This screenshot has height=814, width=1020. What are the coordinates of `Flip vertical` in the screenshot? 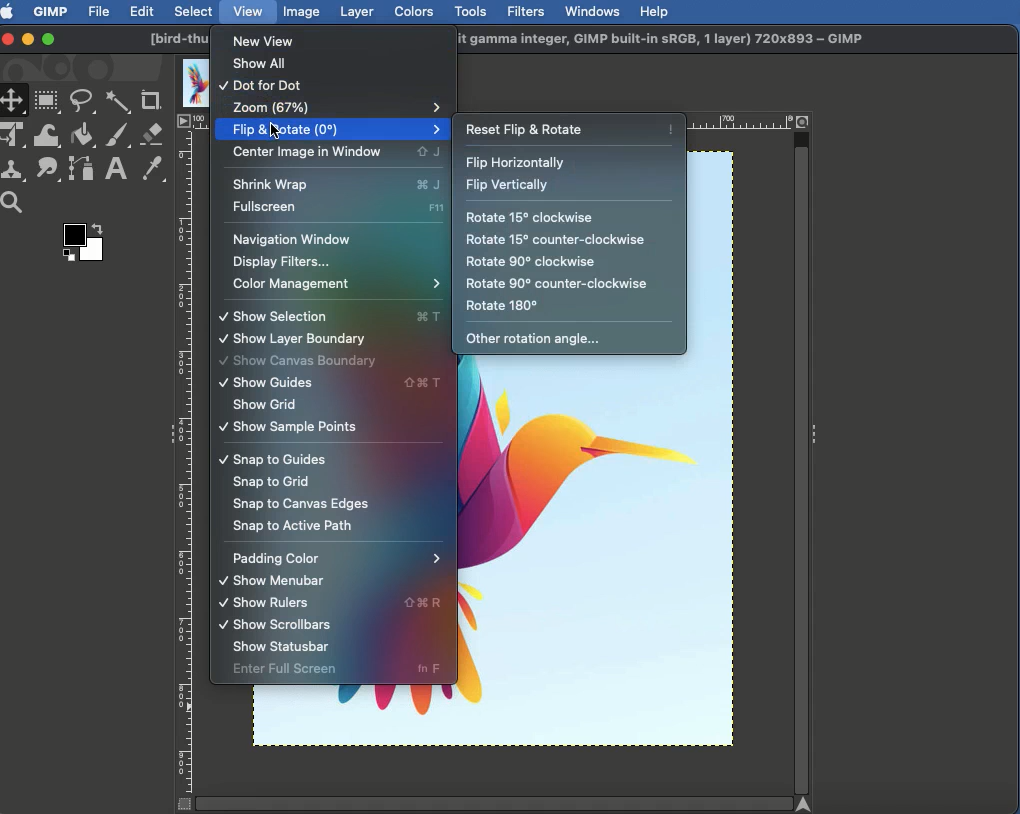 It's located at (506, 186).